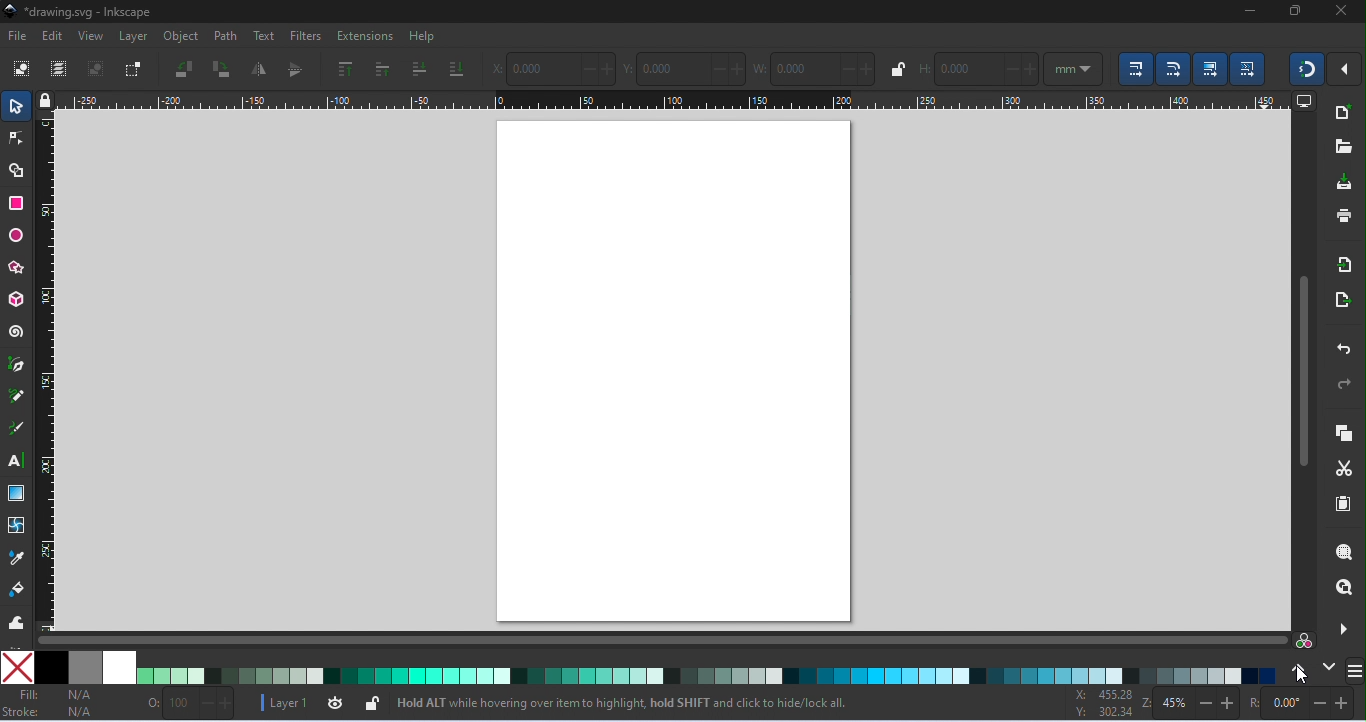 The width and height of the screenshot is (1366, 722). What do you see at coordinates (282, 701) in the screenshot?
I see `current layer` at bounding box center [282, 701].